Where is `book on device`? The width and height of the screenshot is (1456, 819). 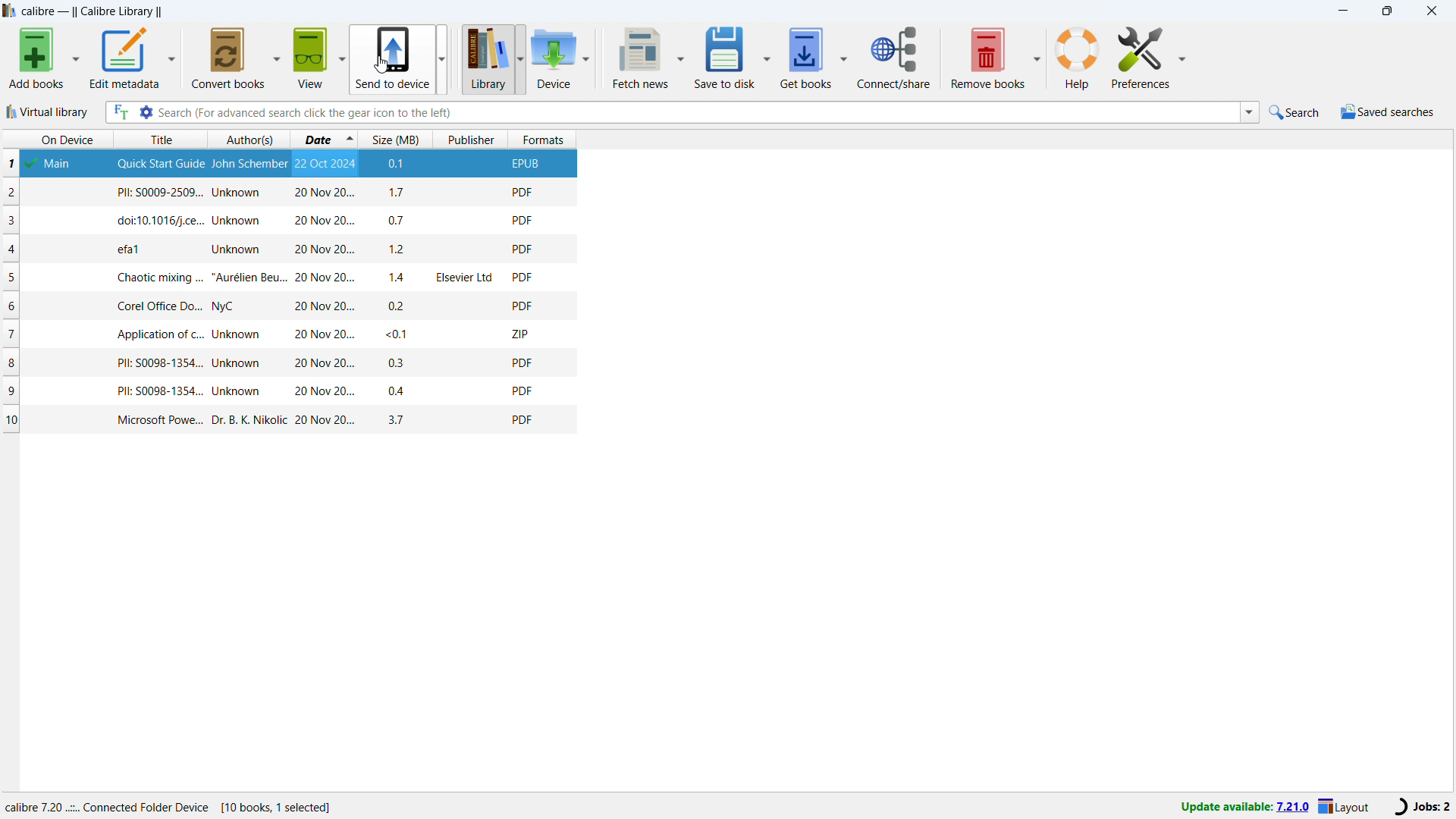 book on device is located at coordinates (60, 164).